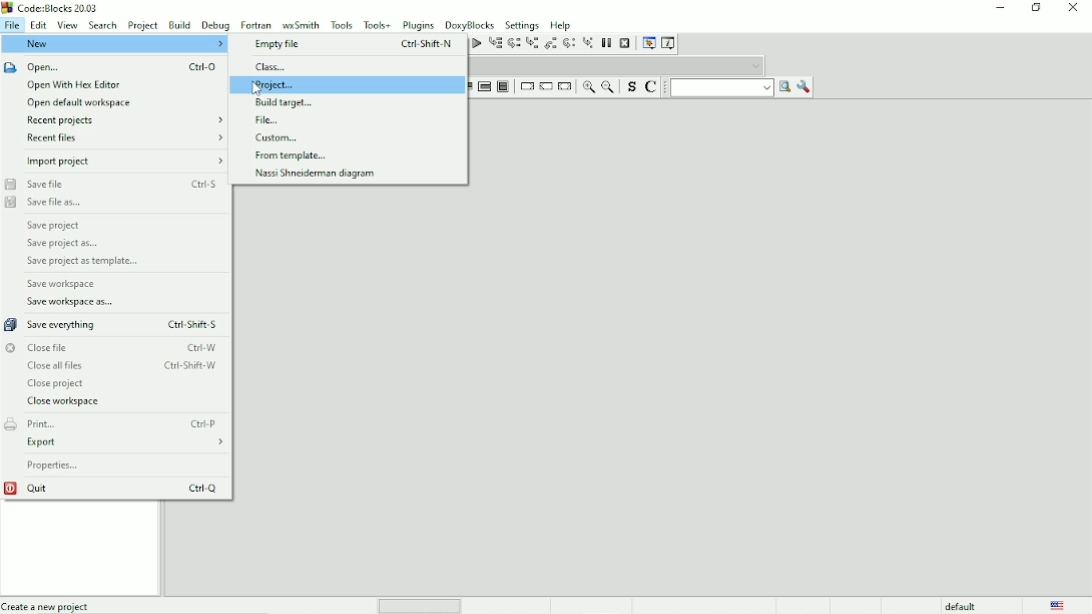 The height and width of the screenshot is (614, 1092). What do you see at coordinates (127, 138) in the screenshot?
I see `Recent files` at bounding box center [127, 138].